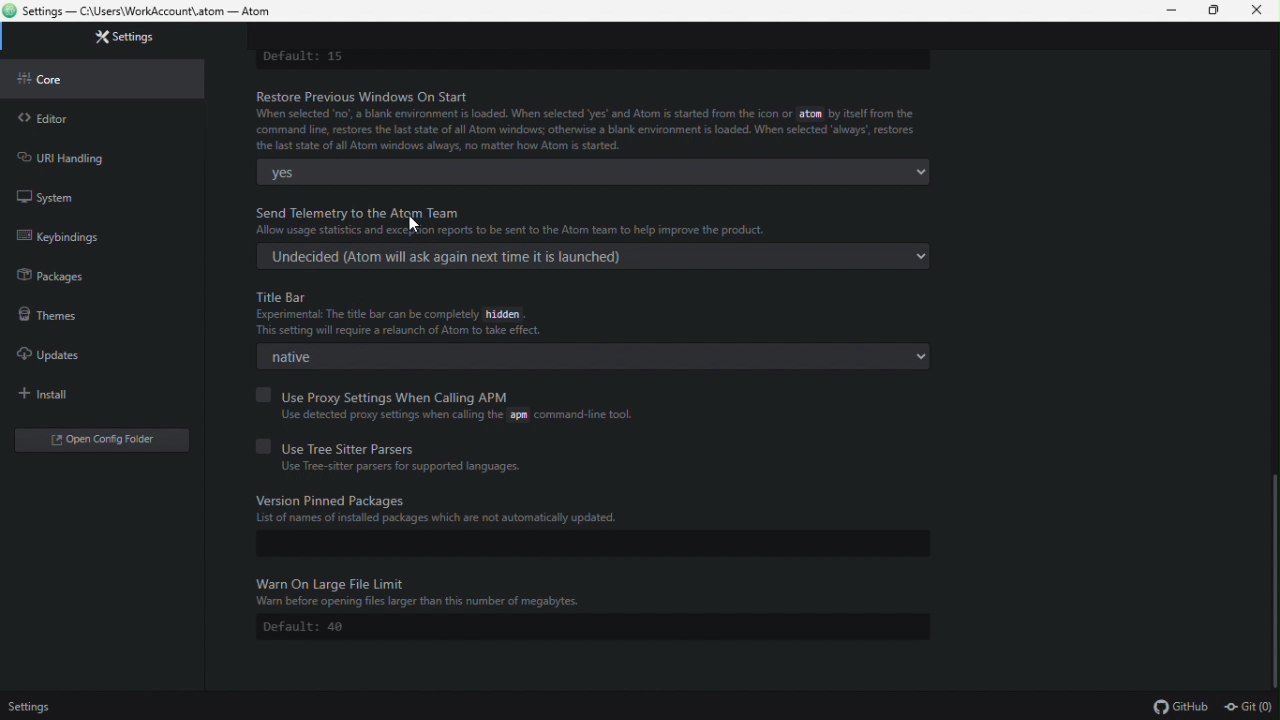 This screenshot has width=1280, height=720. What do you see at coordinates (597, 171) in the screenshot?
I see `yes` at bounding box center [597, 171].